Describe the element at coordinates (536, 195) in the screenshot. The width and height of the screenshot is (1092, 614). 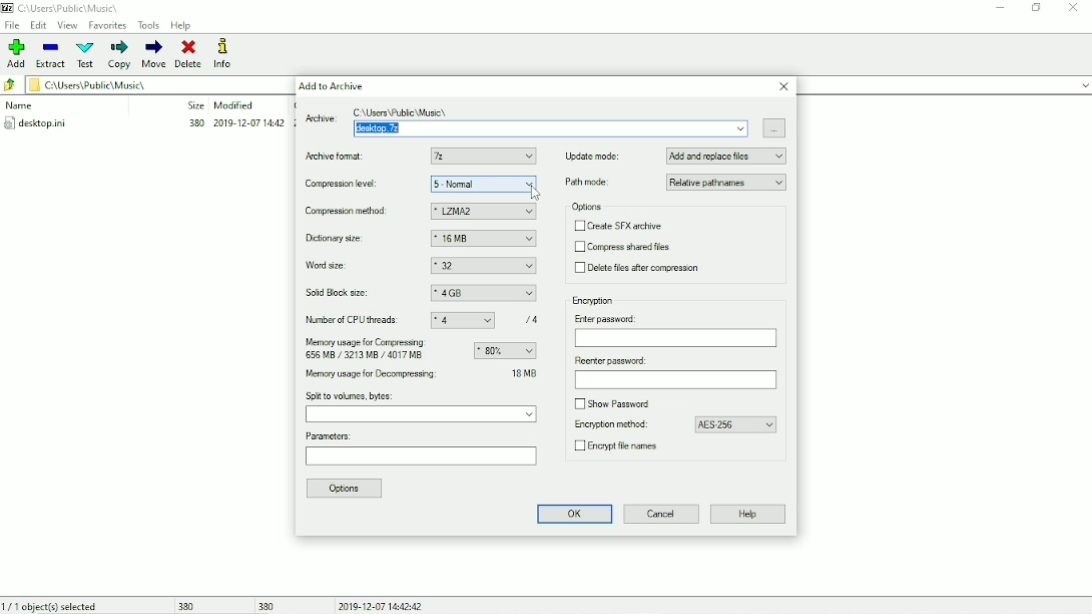
I see `cursor` at that location.